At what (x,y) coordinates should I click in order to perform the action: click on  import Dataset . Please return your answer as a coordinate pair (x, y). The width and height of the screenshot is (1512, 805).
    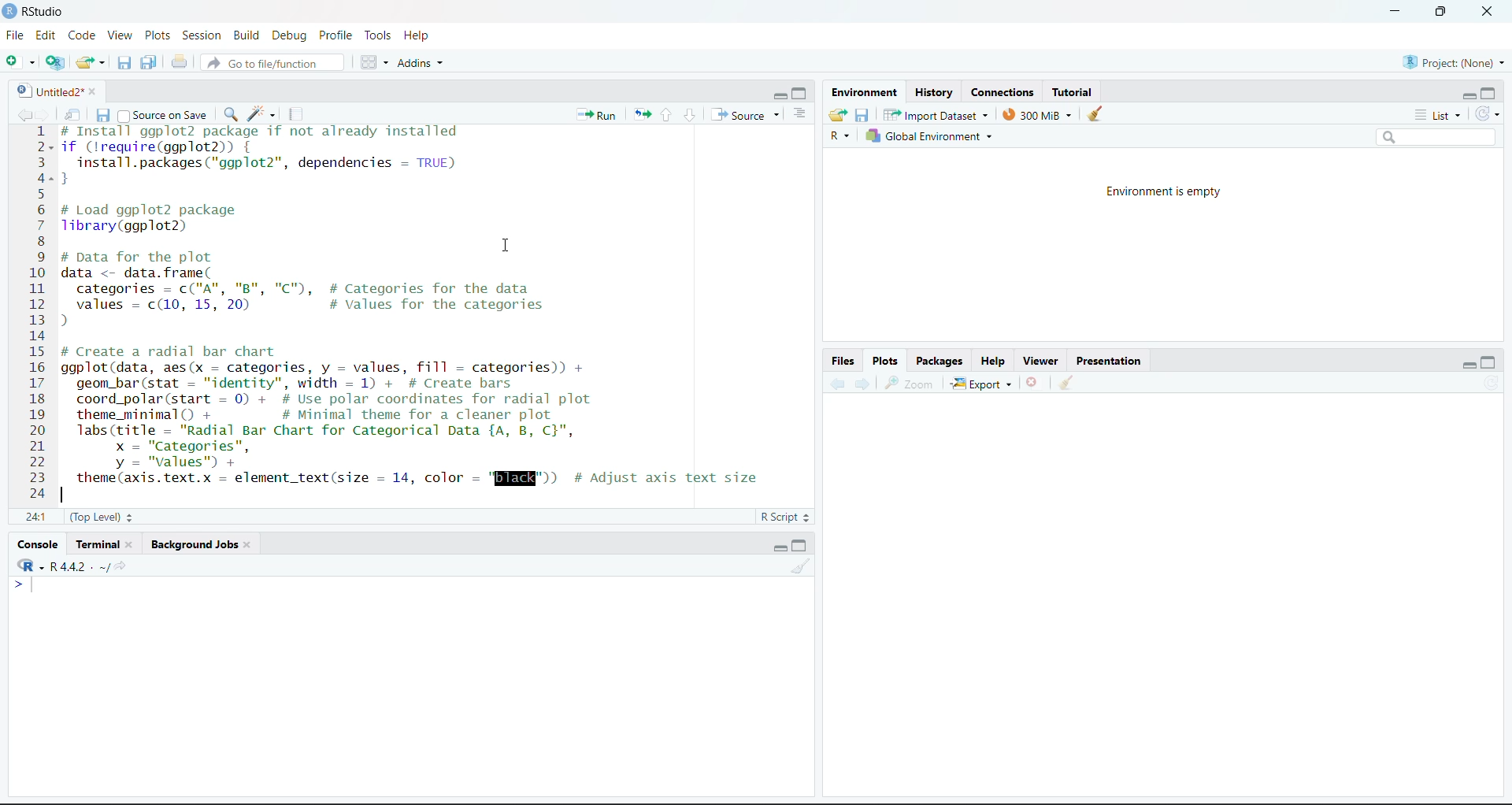
    Looking at the image, I should click on (938, 113).